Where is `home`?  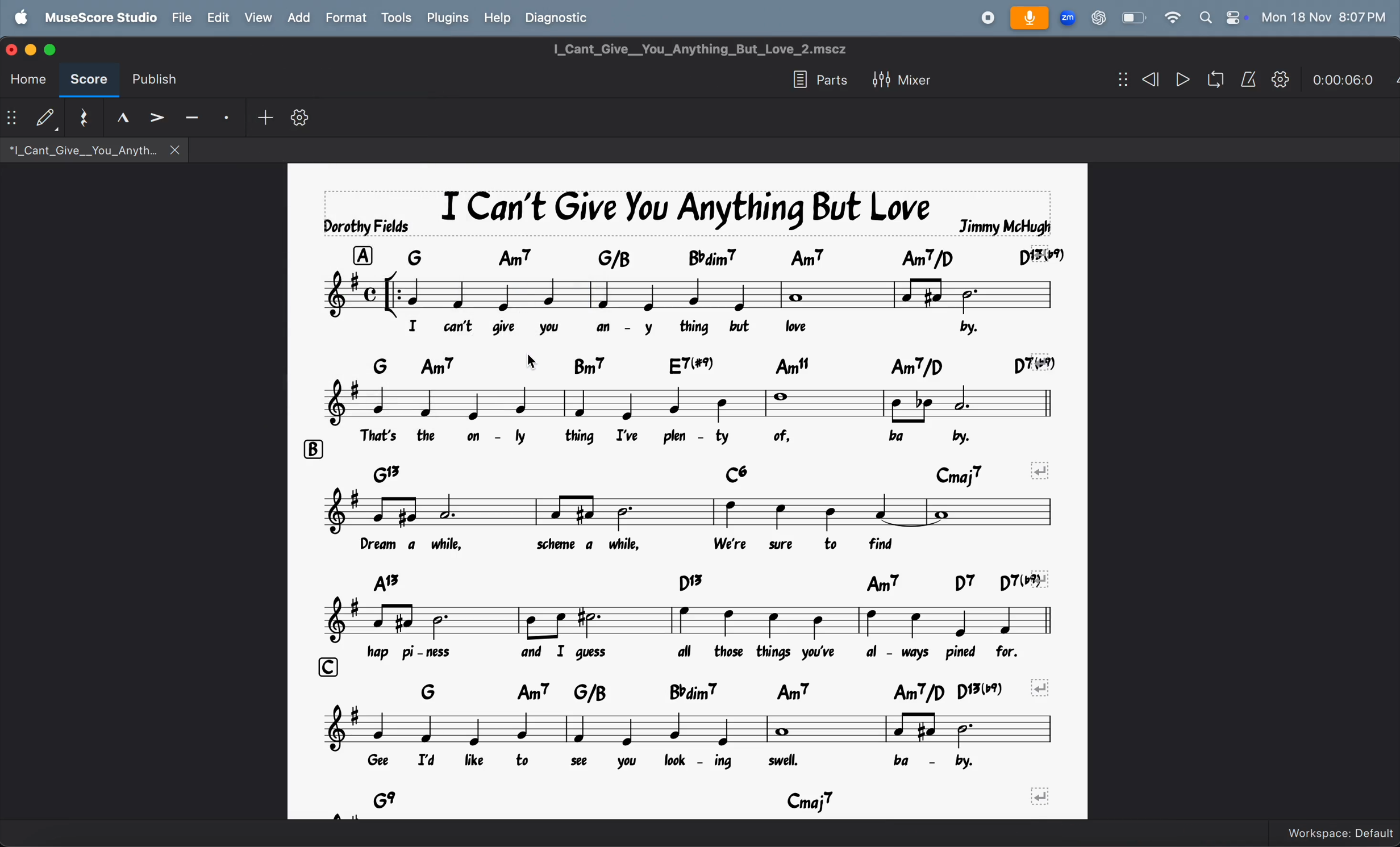
home is located at coordinates (29, 81).